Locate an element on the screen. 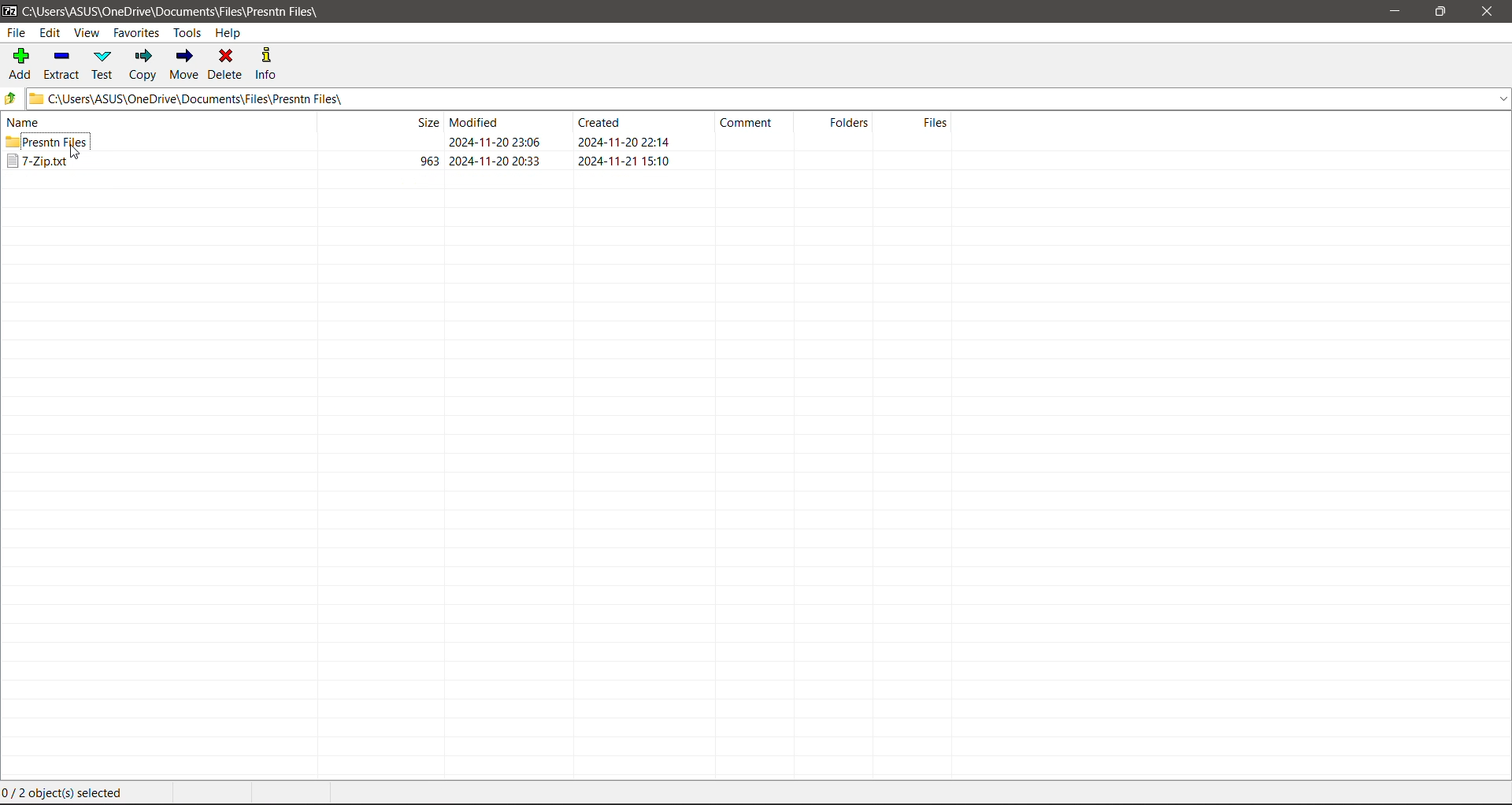  Comment is located at coordinates (748, 121).